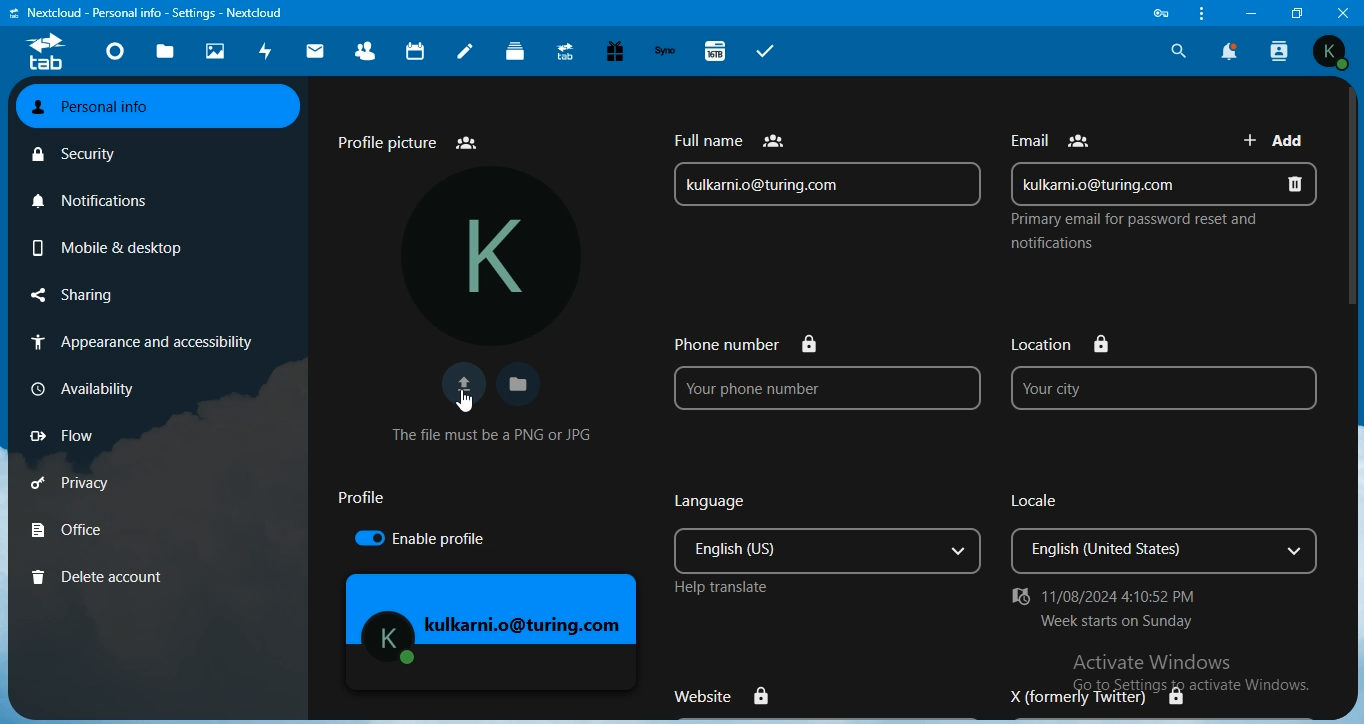  I want to click on office, so click(70, 528).